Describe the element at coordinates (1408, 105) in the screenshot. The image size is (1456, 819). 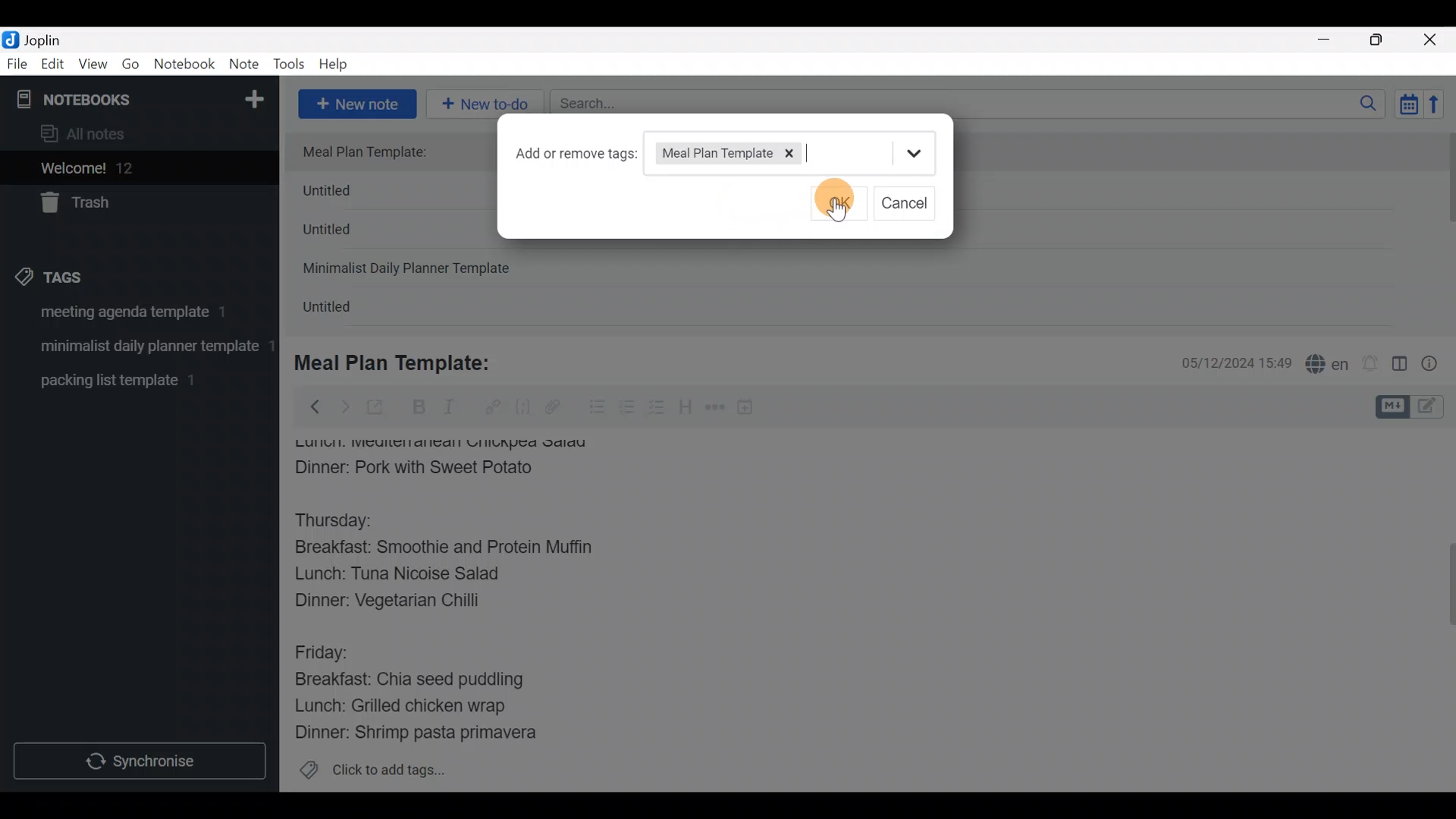
I see `Toggle sort order` at that location.